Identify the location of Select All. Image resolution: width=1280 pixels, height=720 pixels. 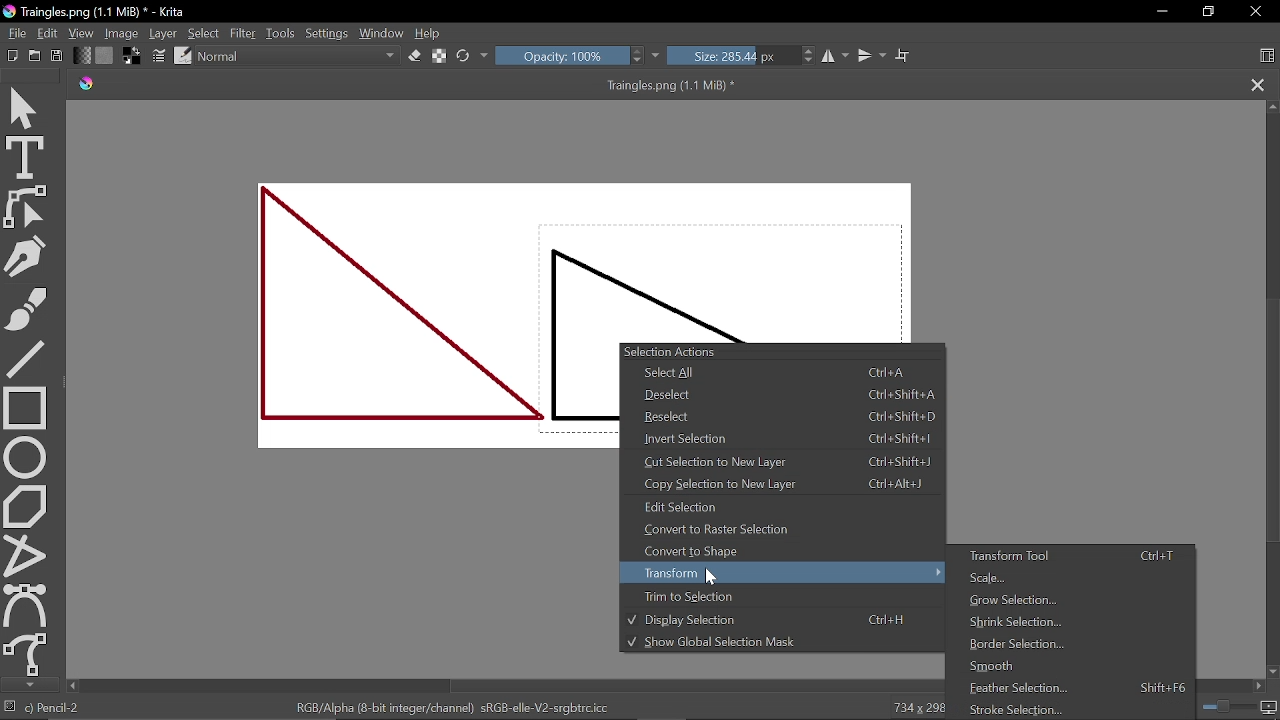
(777, 373).